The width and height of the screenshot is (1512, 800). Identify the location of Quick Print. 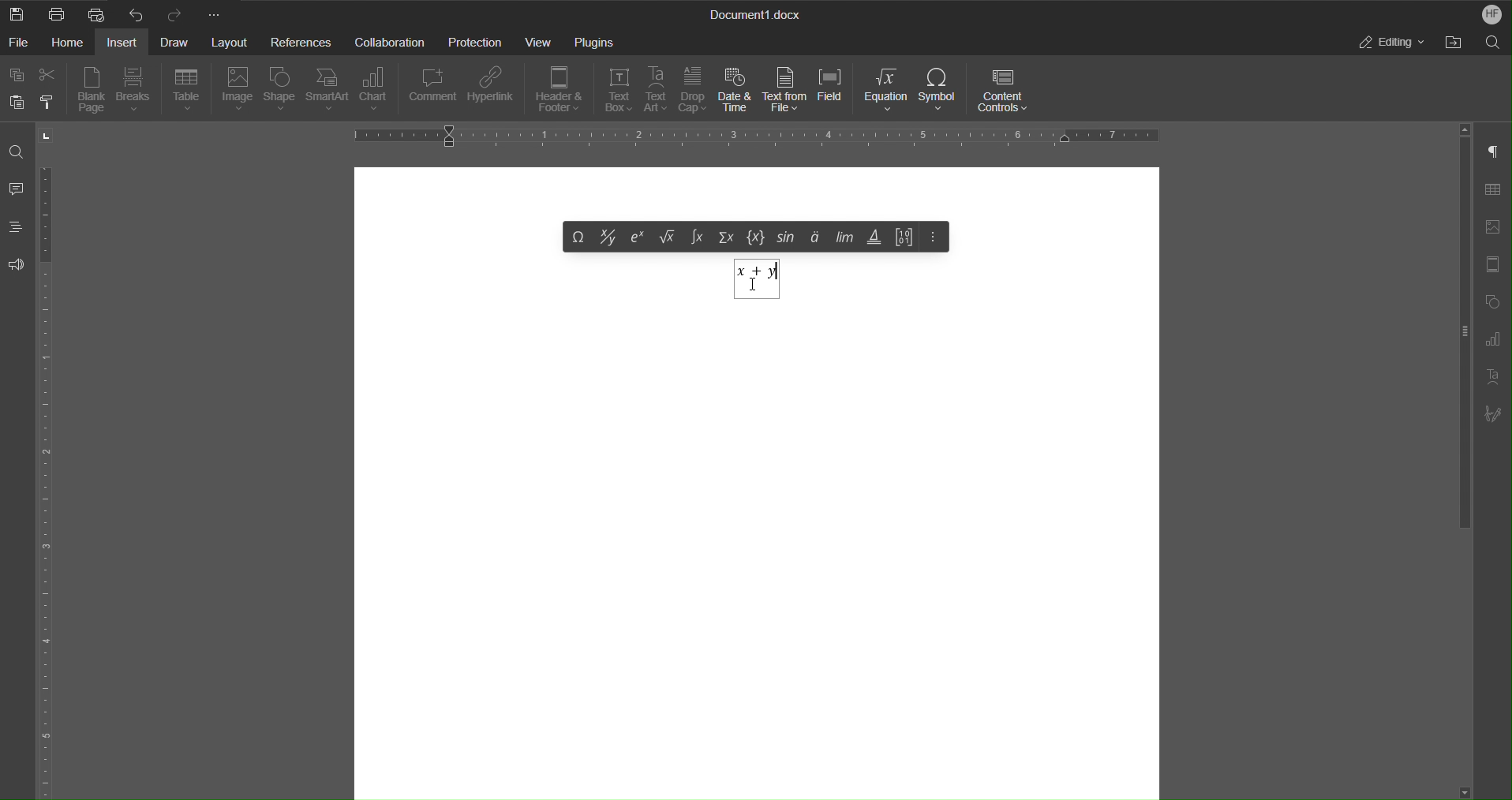
(97, 13).